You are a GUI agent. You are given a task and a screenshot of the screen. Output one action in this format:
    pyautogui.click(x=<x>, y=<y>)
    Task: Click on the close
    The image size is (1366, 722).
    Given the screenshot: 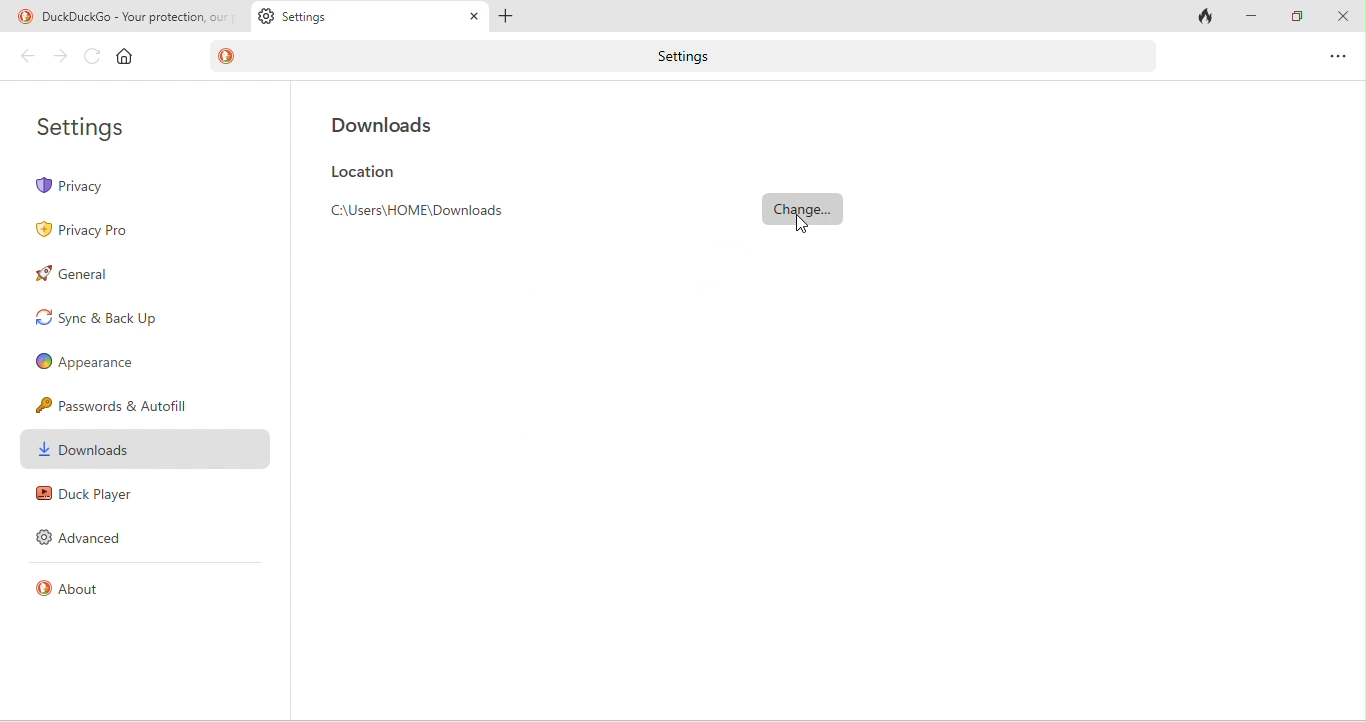 What is the action you would take?
    pyautogui.click(x=1343, y=15)
    